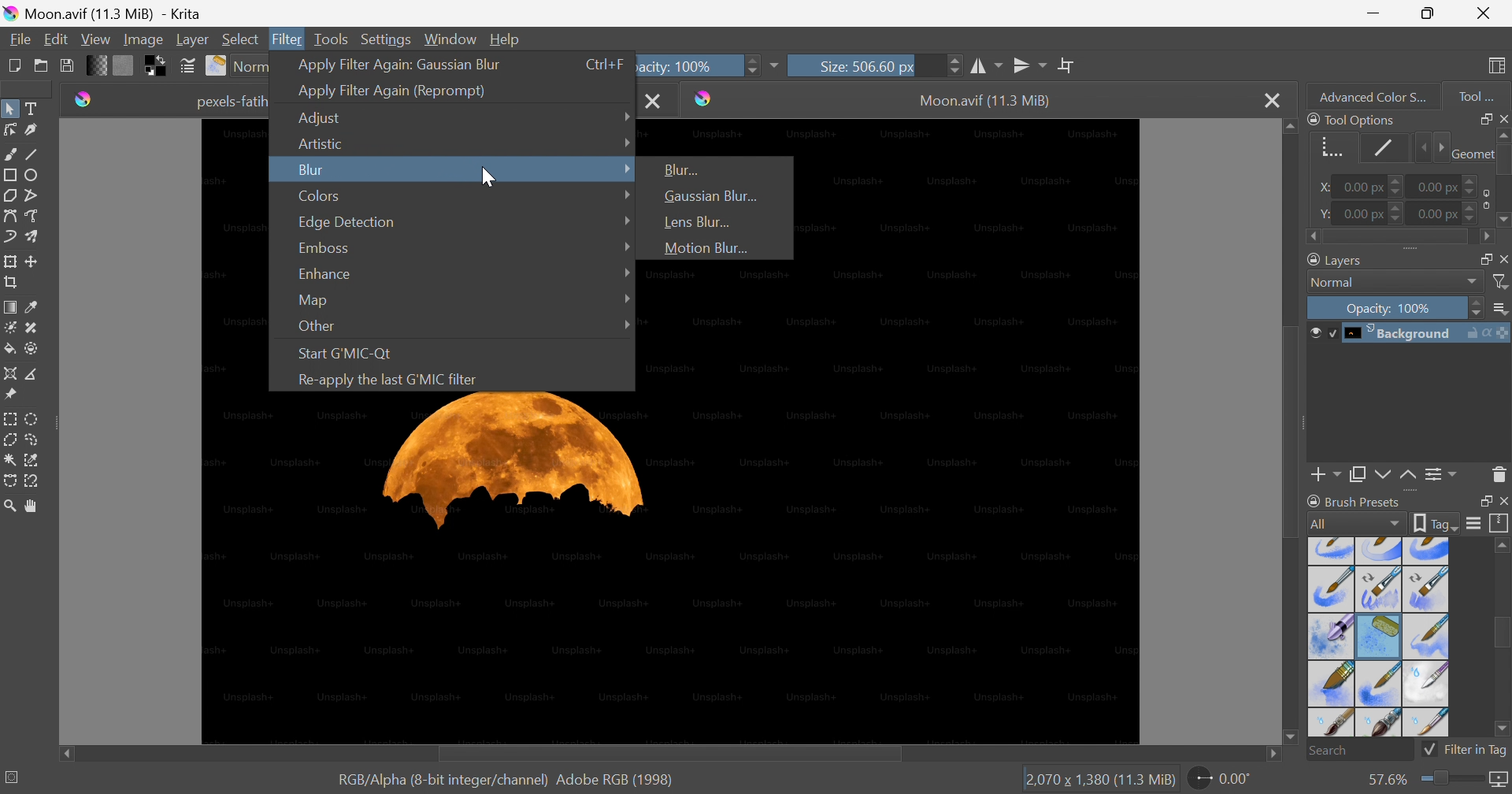 Image resolution: width=1512 pixels, height=794 pixels. Describe the element at coordinates (95, 40) in the screenshot. I see `View` at that location.